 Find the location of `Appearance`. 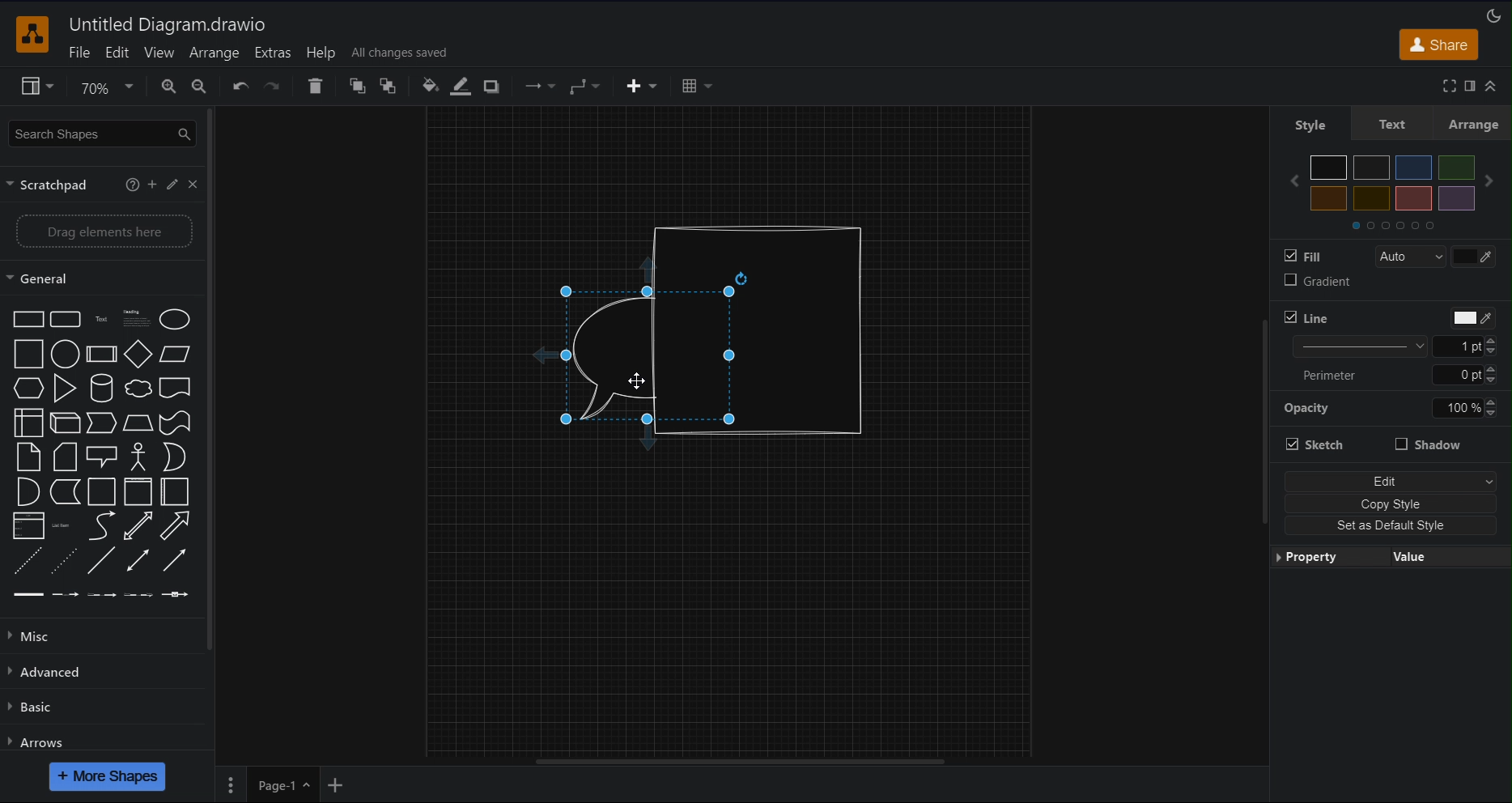

Appearance is located at coordinates (1494, 15).